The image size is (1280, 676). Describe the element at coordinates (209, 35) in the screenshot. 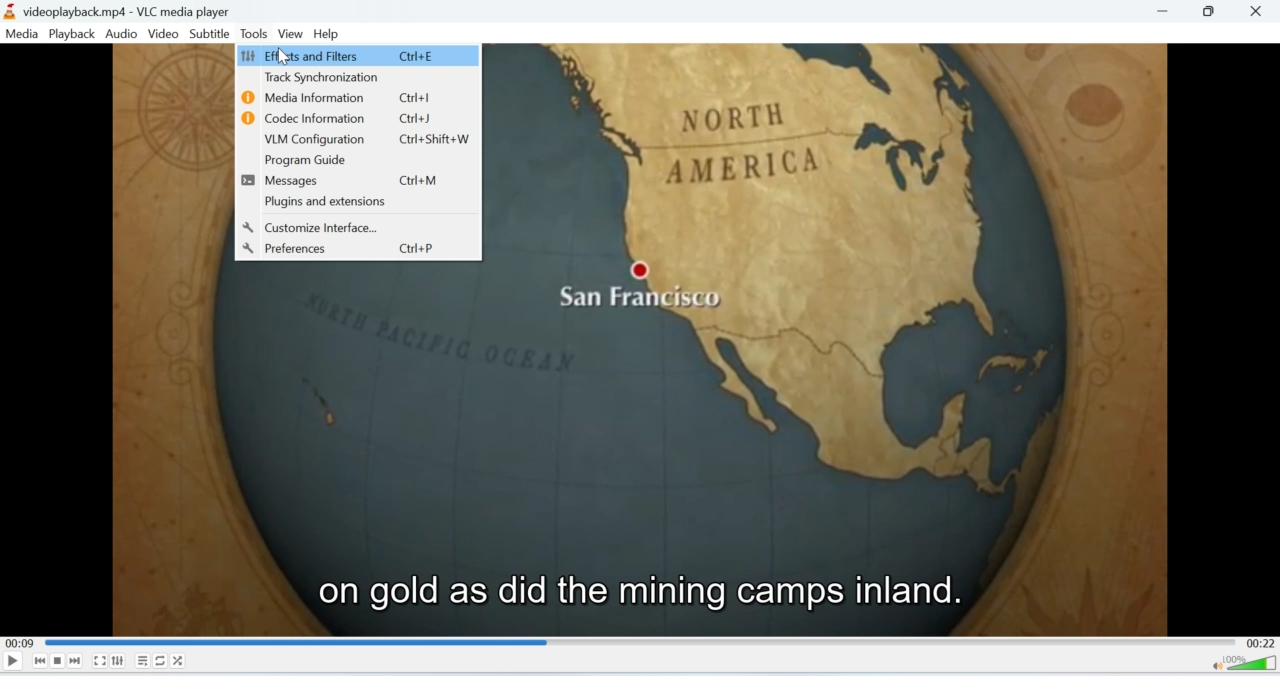

I see `Subtitle` at that location.